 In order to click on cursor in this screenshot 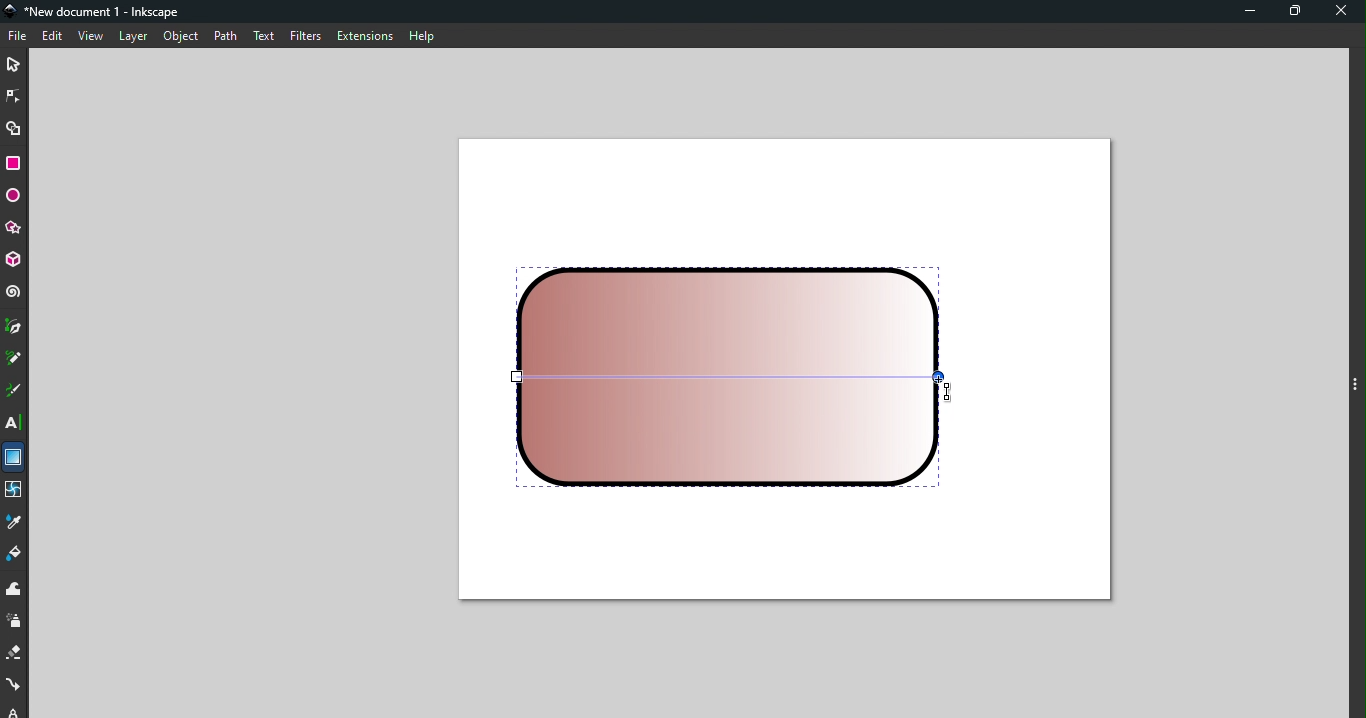, I will do `click(948, 393)`.